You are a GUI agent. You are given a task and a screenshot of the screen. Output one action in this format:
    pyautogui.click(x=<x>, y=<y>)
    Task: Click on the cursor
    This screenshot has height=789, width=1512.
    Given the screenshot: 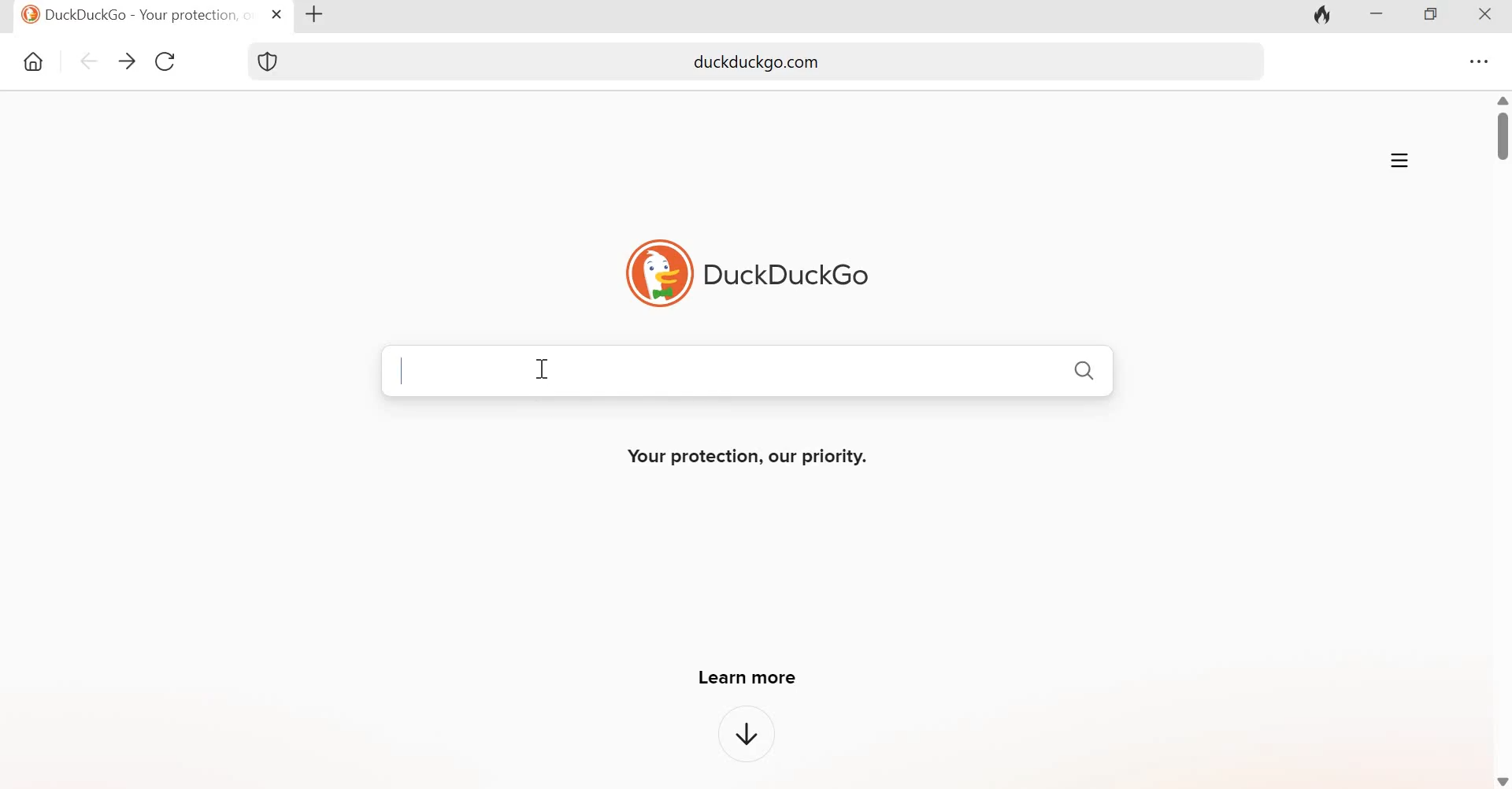 What is the action you would take?
    pyautogui.click(x=541, y=364)
    